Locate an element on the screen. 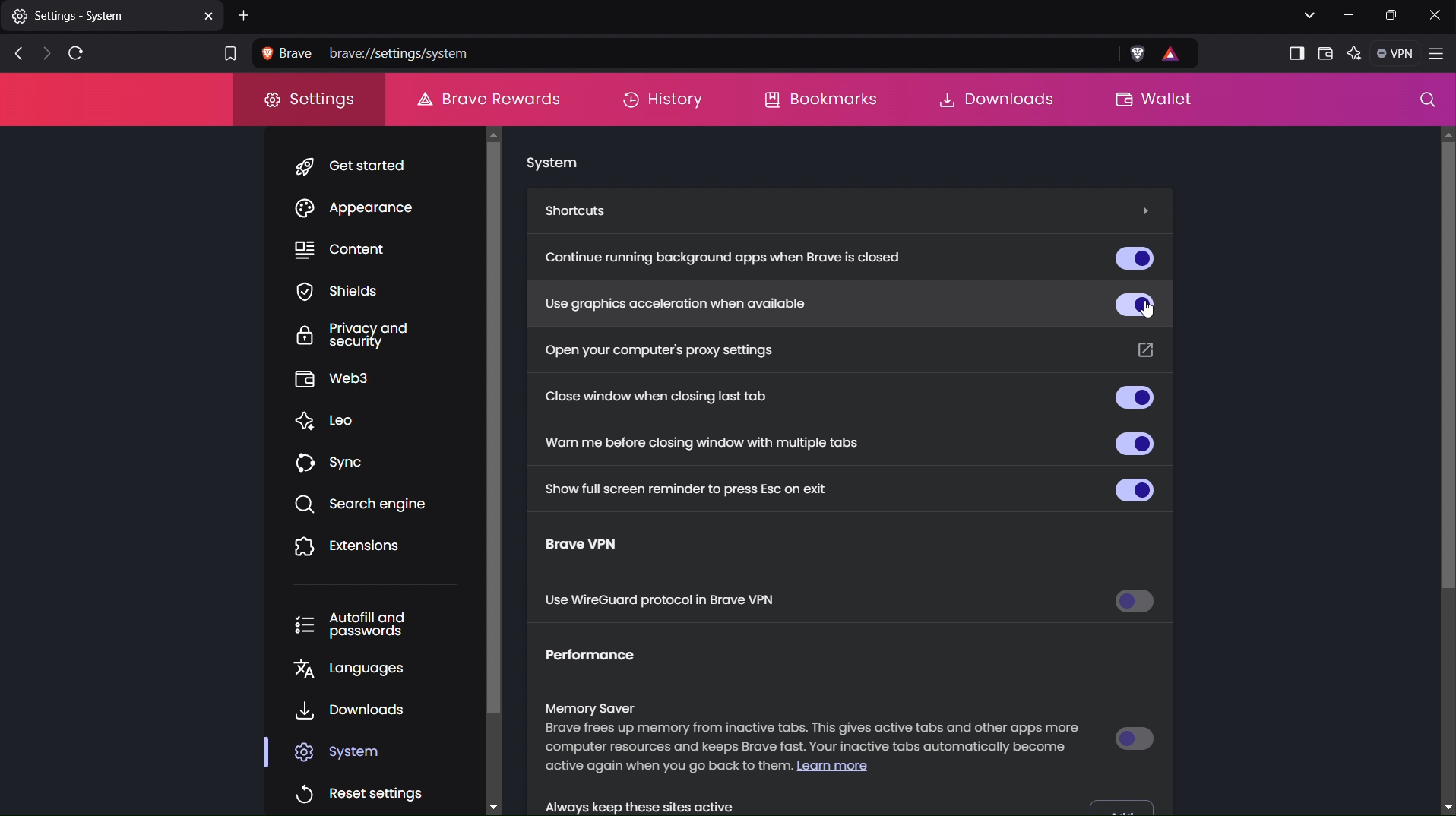 This screenshot has height=816, width=1456. Shortcuts is located at coordinates (582, 211).